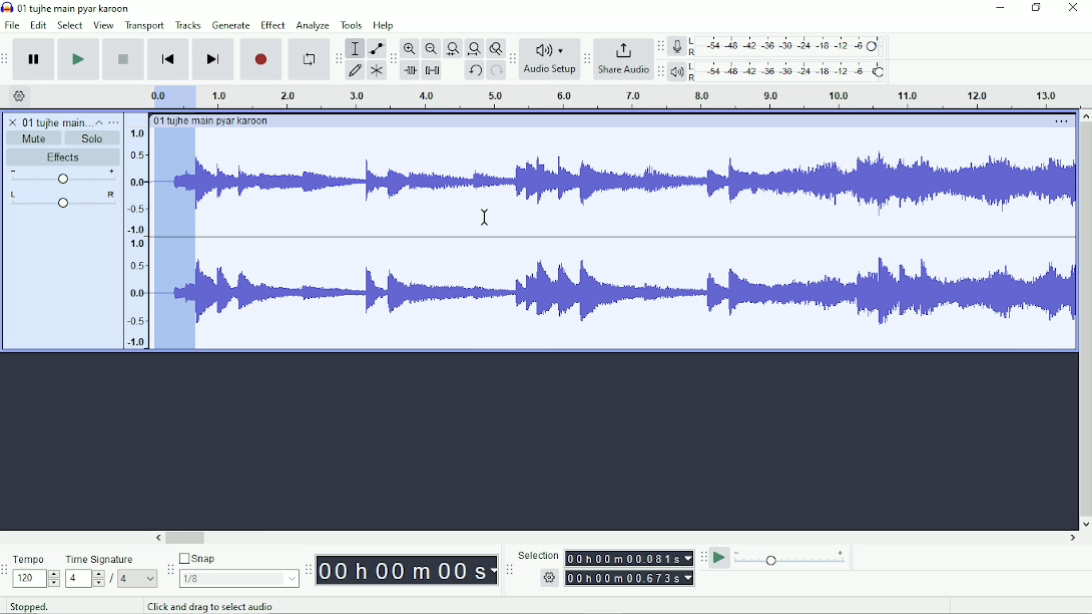 This screenshot has height=614, width=1092. Describe the element at coordinates (84, 578) in the screenshot. I see `Tempo Signature range` at that location.